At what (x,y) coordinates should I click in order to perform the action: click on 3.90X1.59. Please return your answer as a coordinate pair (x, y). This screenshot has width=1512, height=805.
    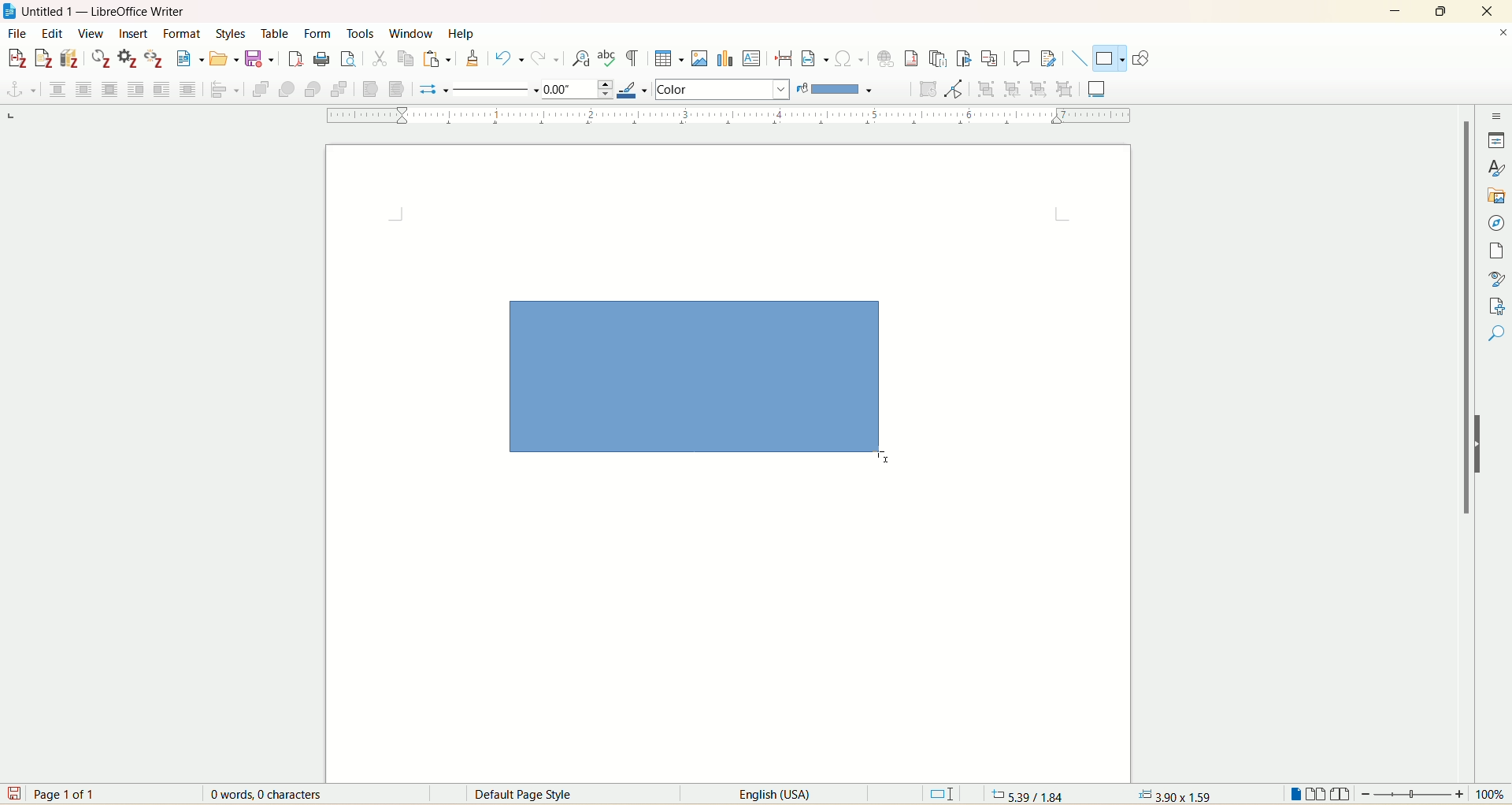
    Looking at the image, I should click on (1175, 795).